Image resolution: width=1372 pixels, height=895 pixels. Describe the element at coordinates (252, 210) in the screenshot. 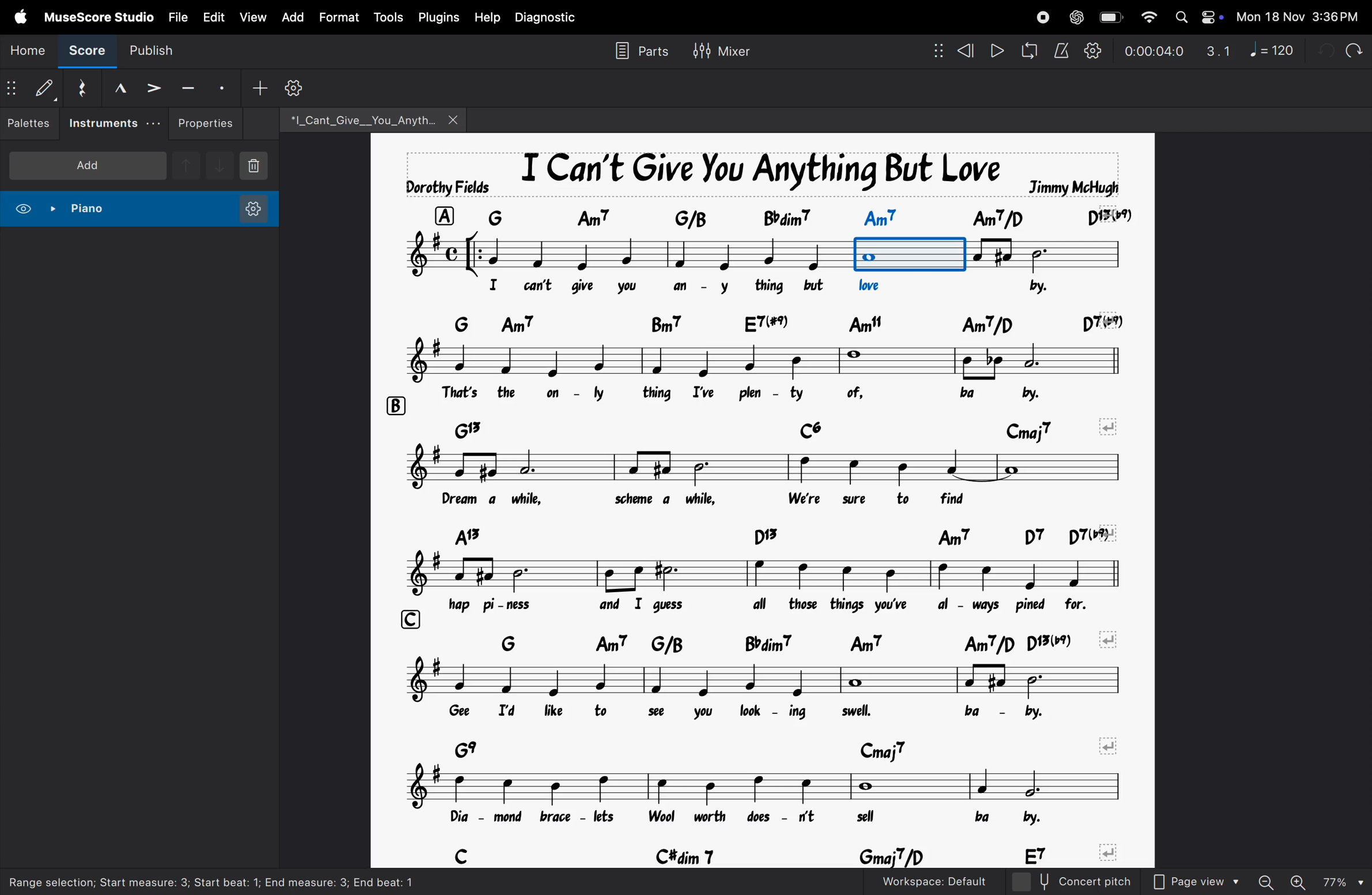

I see `instrument setting` at that location.